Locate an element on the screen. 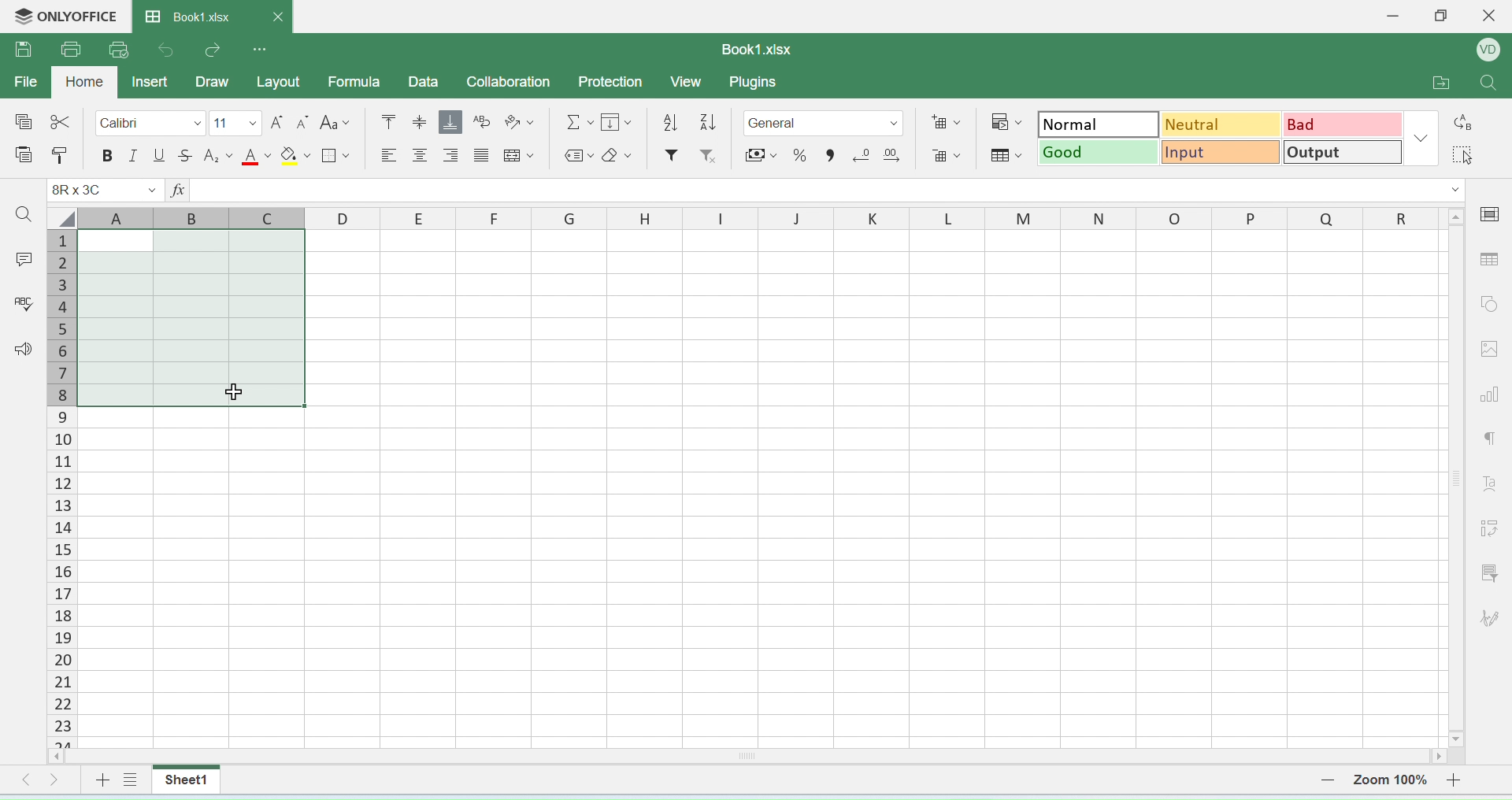 The image size is (1512, 800).  is located at coordinates (761, 156).